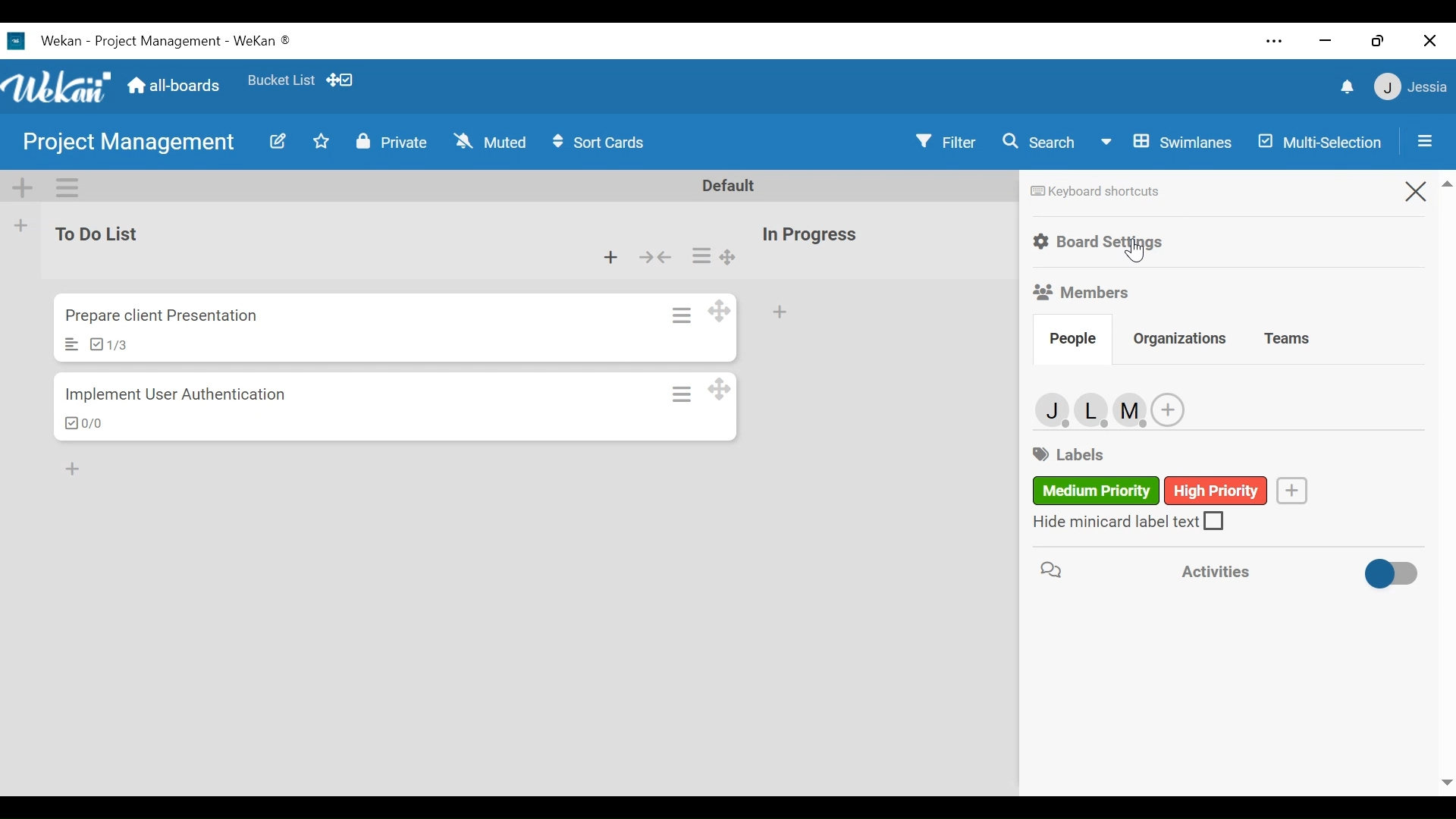  What do you see at coordinates (1181, 340) in the screenshot?
I see `Organizations` at bounding box center [1181, 340].